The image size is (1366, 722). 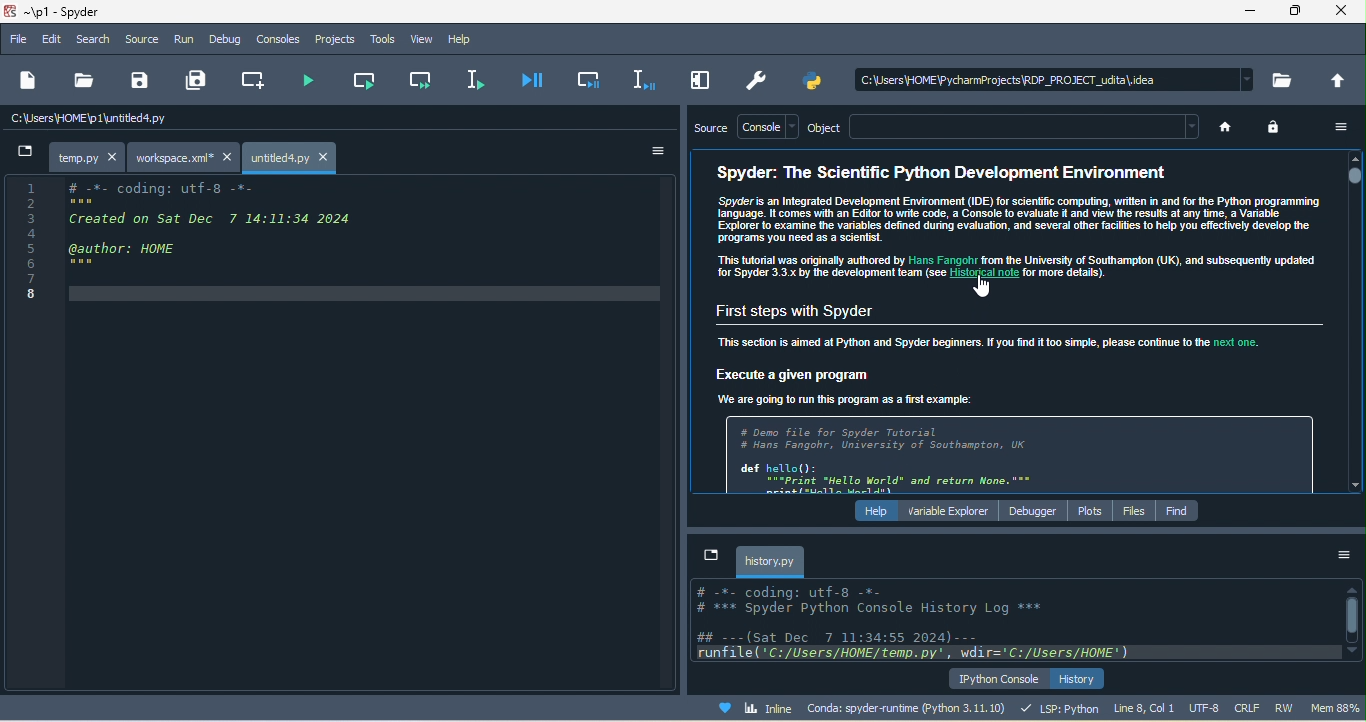 I want to click on debug, so click(x=227, y=40).